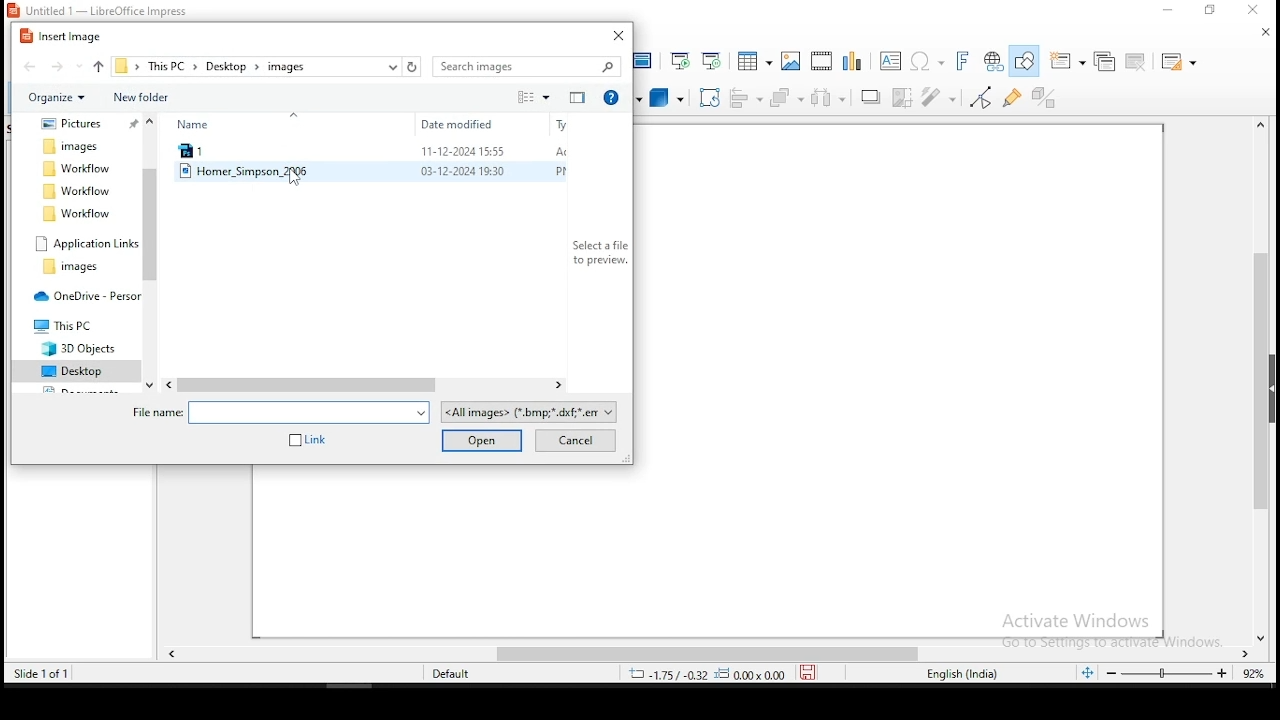 The image size is (1280, 720). Describe the element at coordinates (1247, 655) in the screenshot. I see `scroll right` at that location.